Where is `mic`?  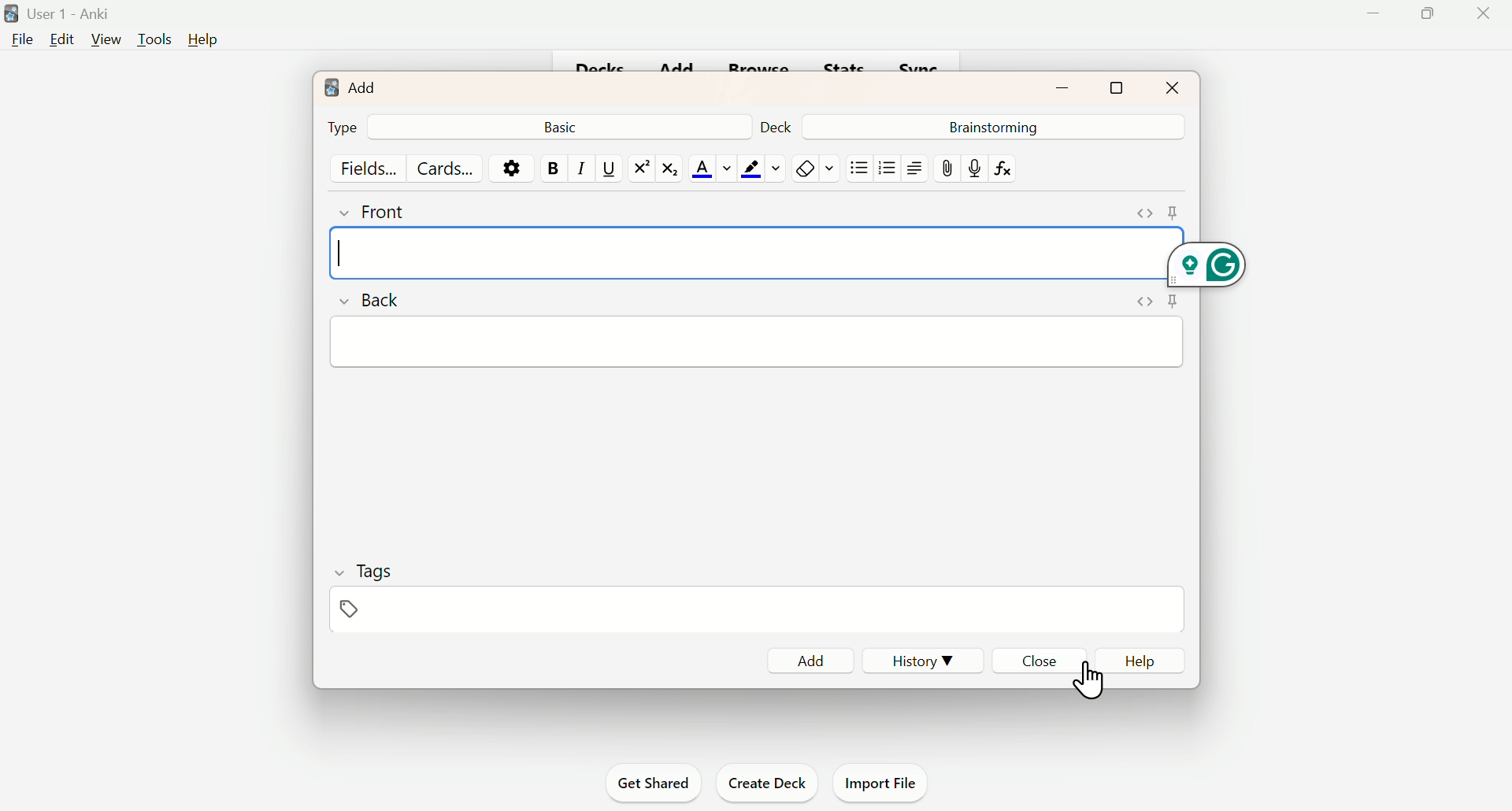 mic is located at coordinates (973, 168).